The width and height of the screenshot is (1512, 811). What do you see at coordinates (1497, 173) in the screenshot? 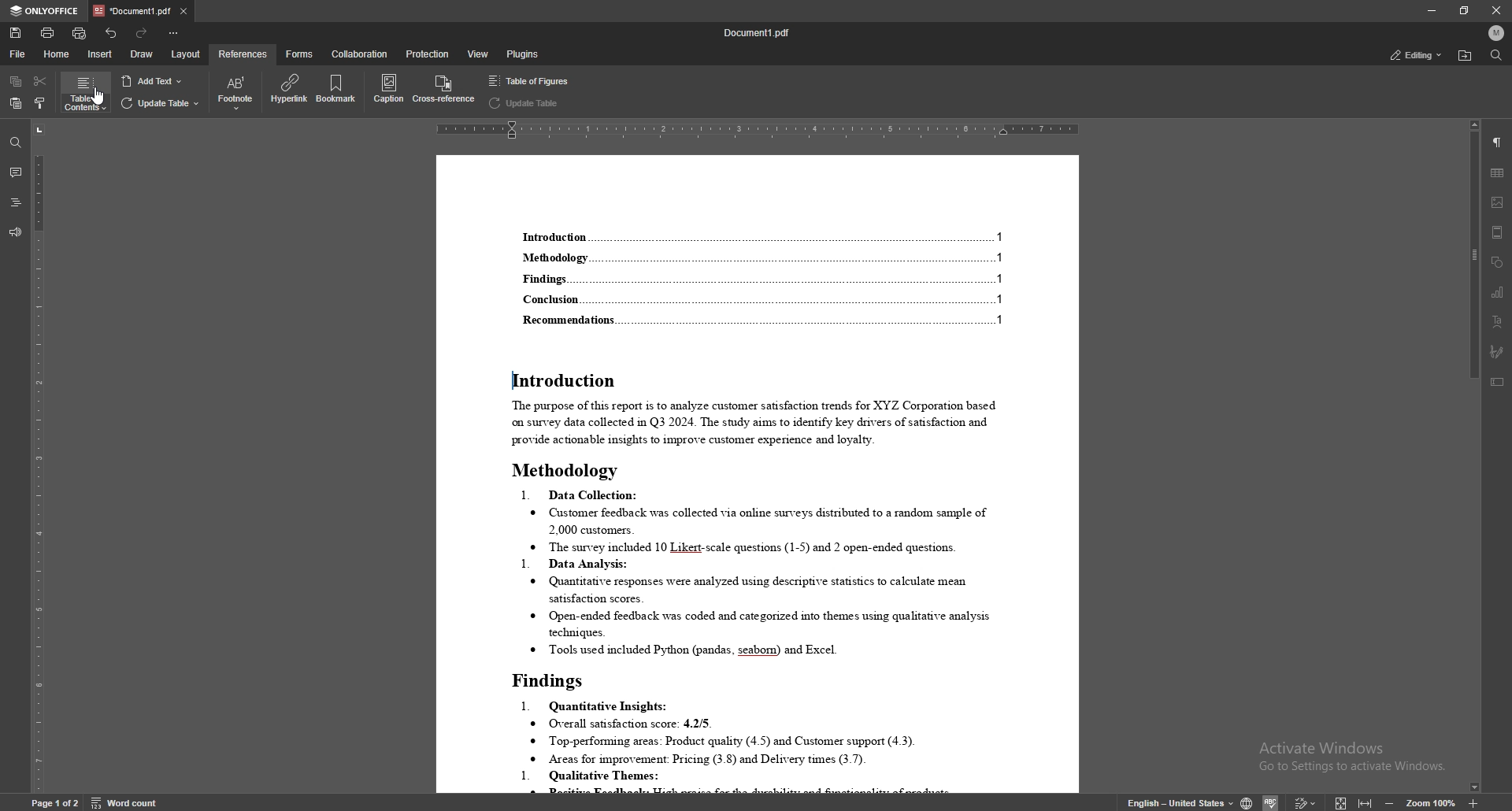
I see `table` at bounding box center [1497, 173].